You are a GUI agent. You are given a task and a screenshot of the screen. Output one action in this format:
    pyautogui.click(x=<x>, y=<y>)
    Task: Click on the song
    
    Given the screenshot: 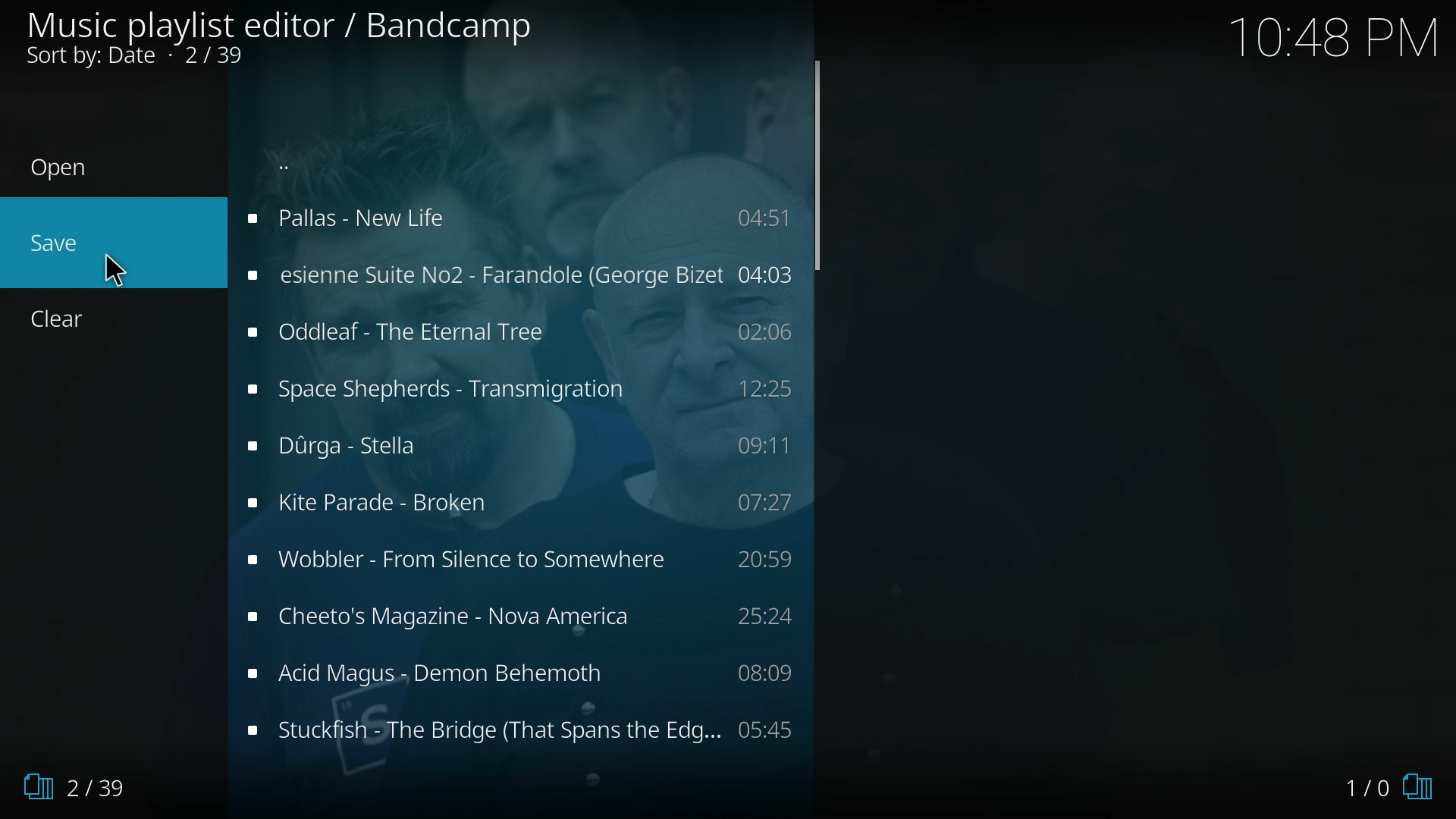 What is the action you would take?
    pyautogui.click(x=526, y=729)
    